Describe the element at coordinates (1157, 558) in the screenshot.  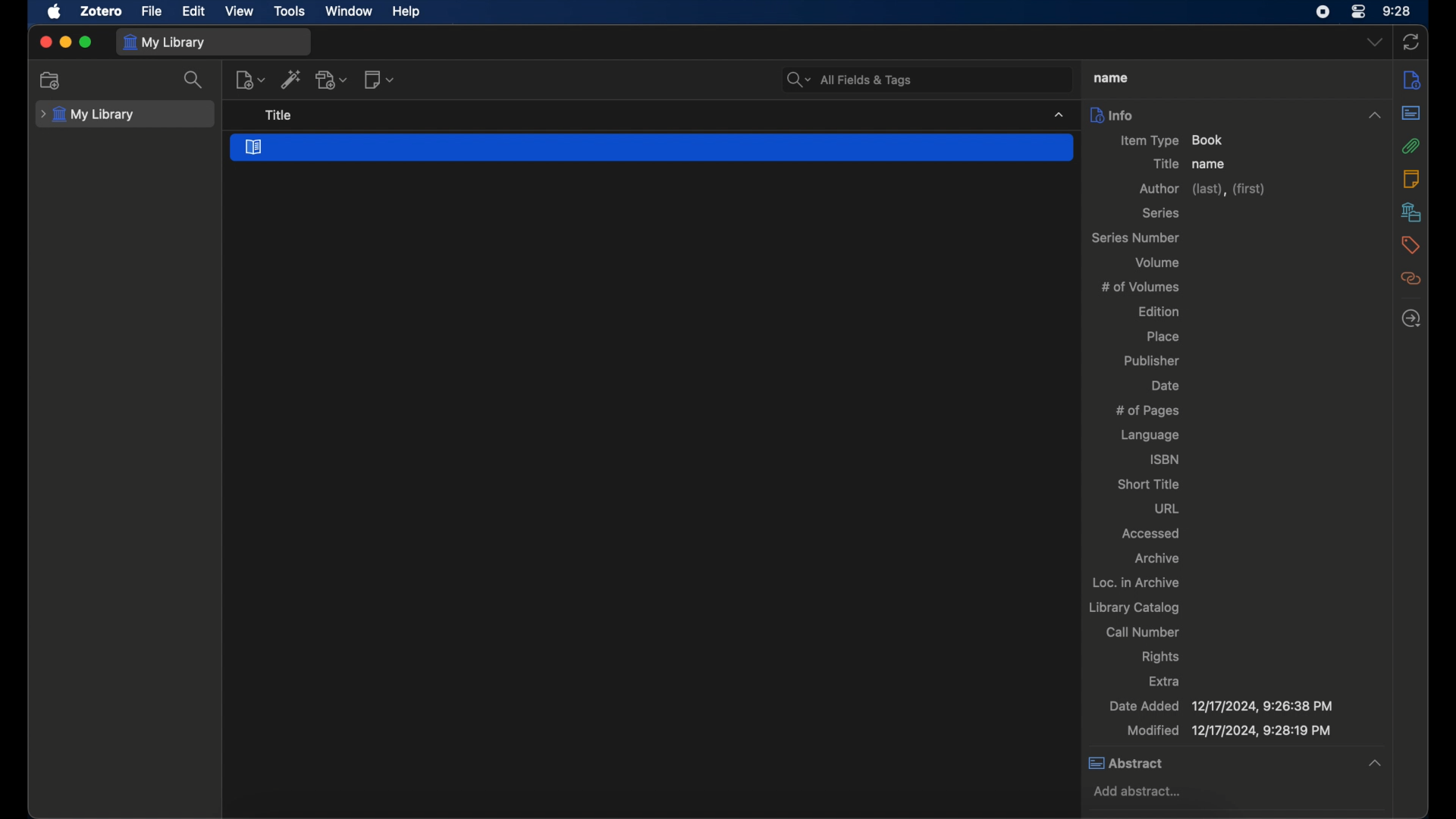
I see `archive` at that location.